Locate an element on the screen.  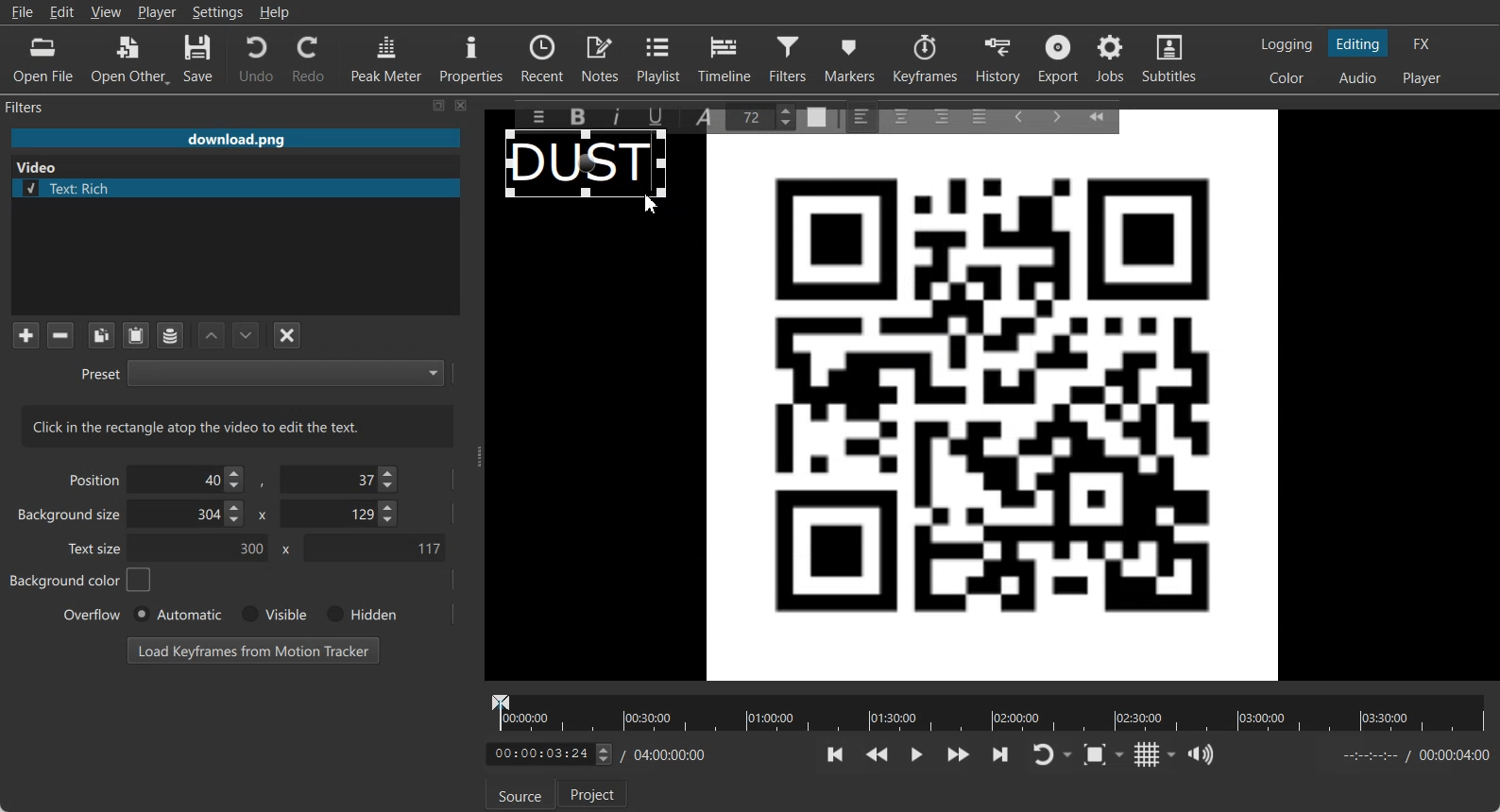
Load Keyframe from Motion Tracker is located at coordinates (253, 650).